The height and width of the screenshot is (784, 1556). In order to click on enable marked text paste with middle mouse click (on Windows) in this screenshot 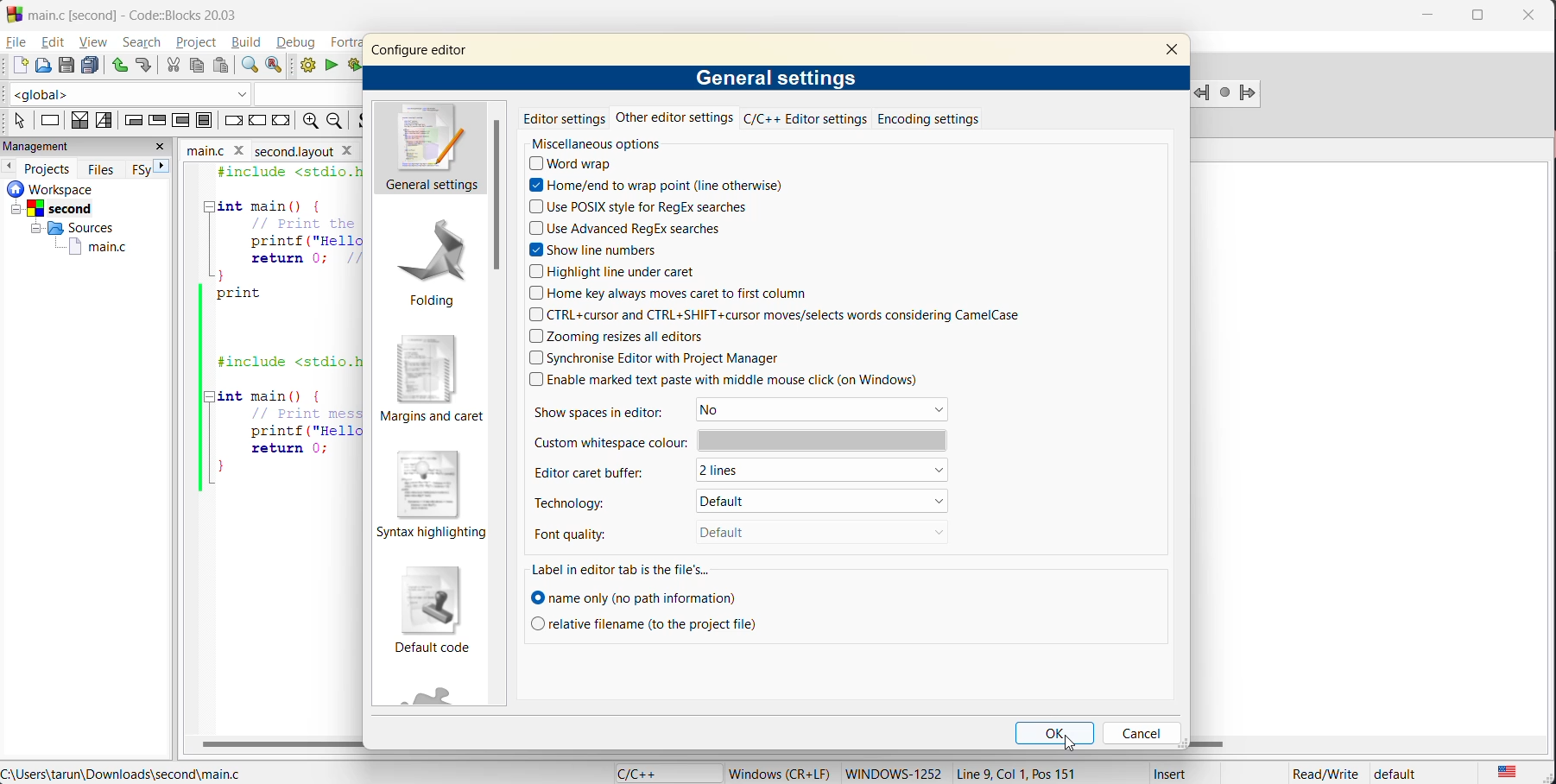, I will do `click(728, 379)`.